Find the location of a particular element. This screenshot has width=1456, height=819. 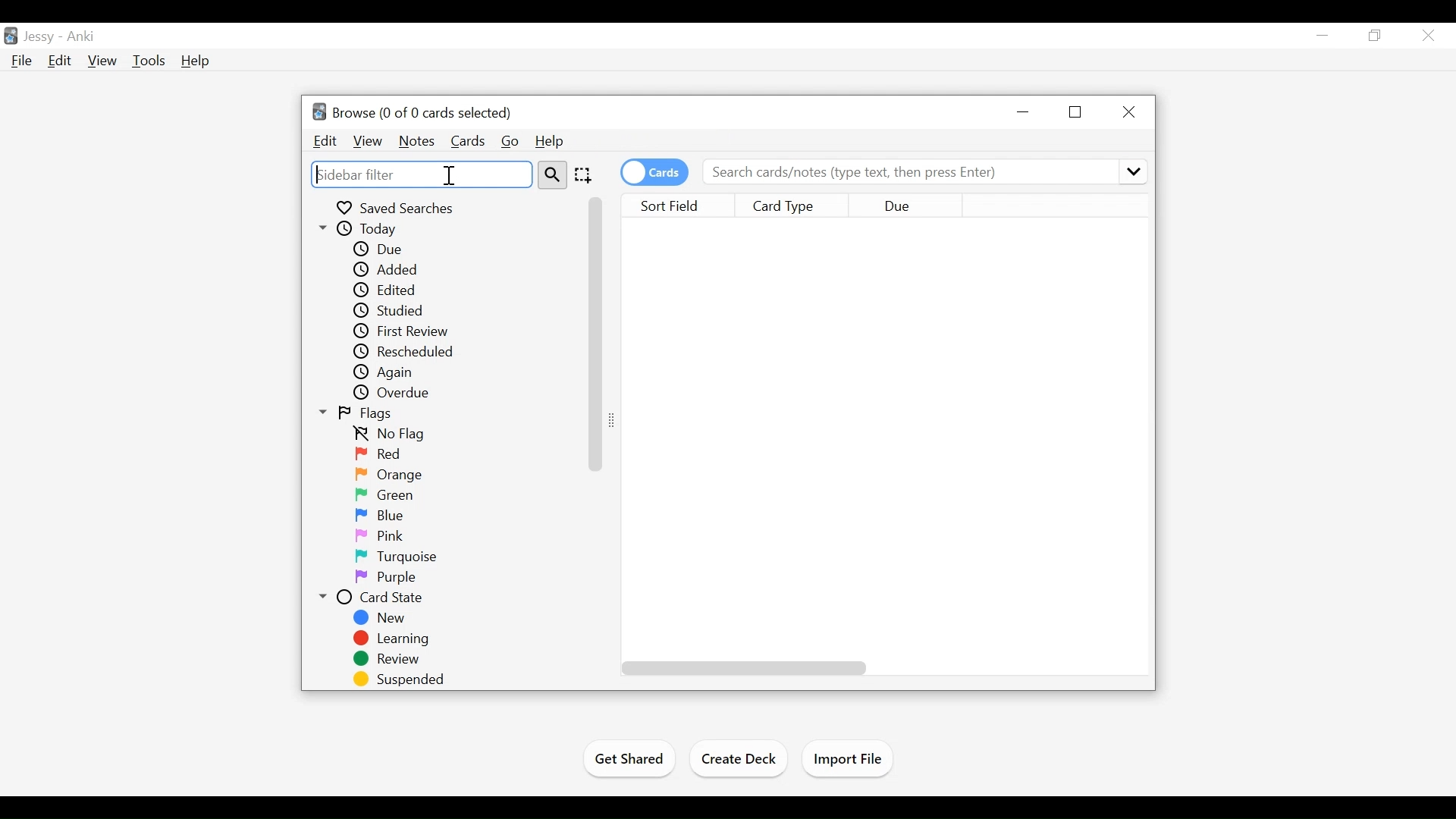

Learning is located at coordinates (392, 639).